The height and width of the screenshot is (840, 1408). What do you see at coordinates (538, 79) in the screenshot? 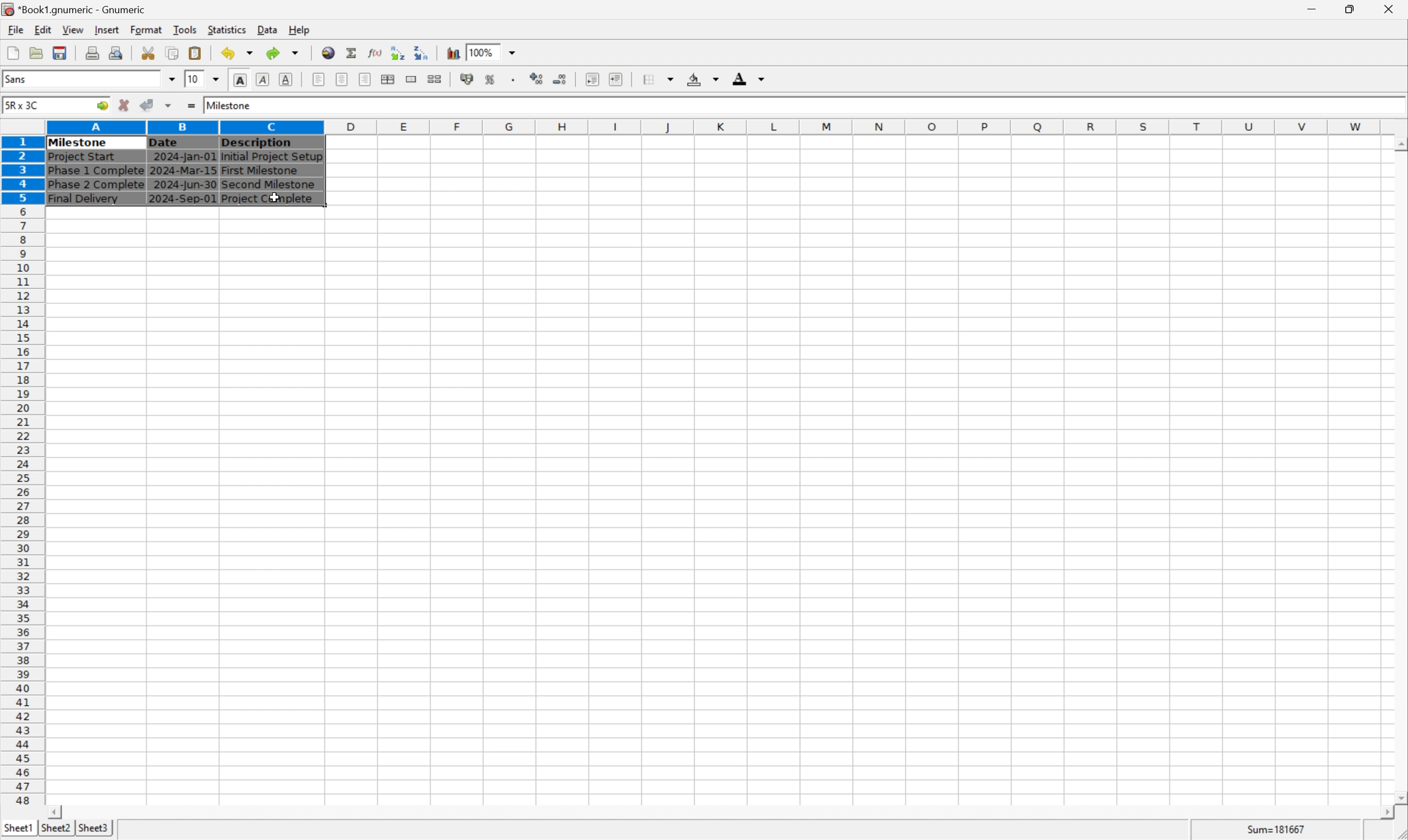
I see `increase number of decimals displayed` at bounding box center [538, 79].